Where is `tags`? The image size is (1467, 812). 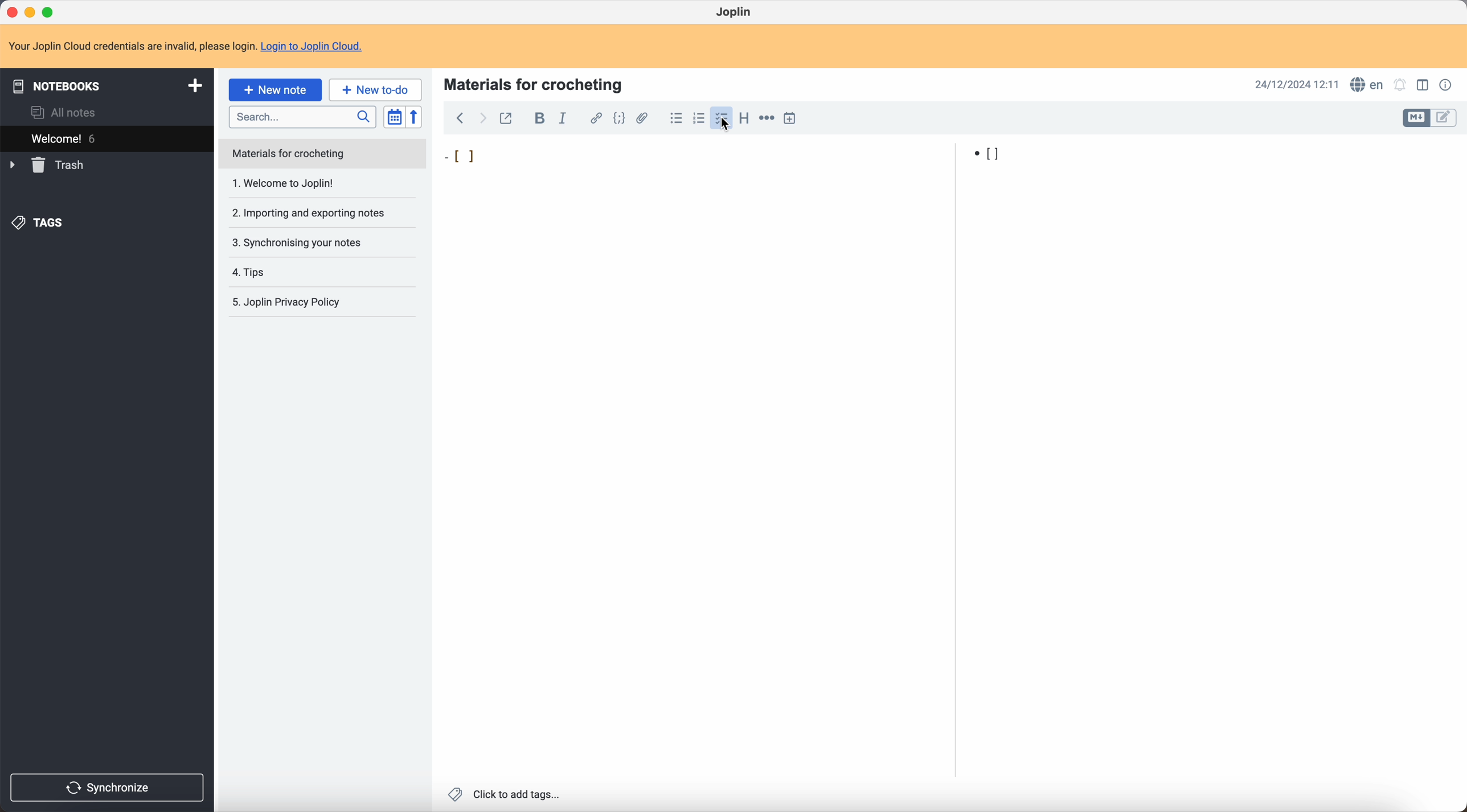
tags is located at coordinates (40, 224).